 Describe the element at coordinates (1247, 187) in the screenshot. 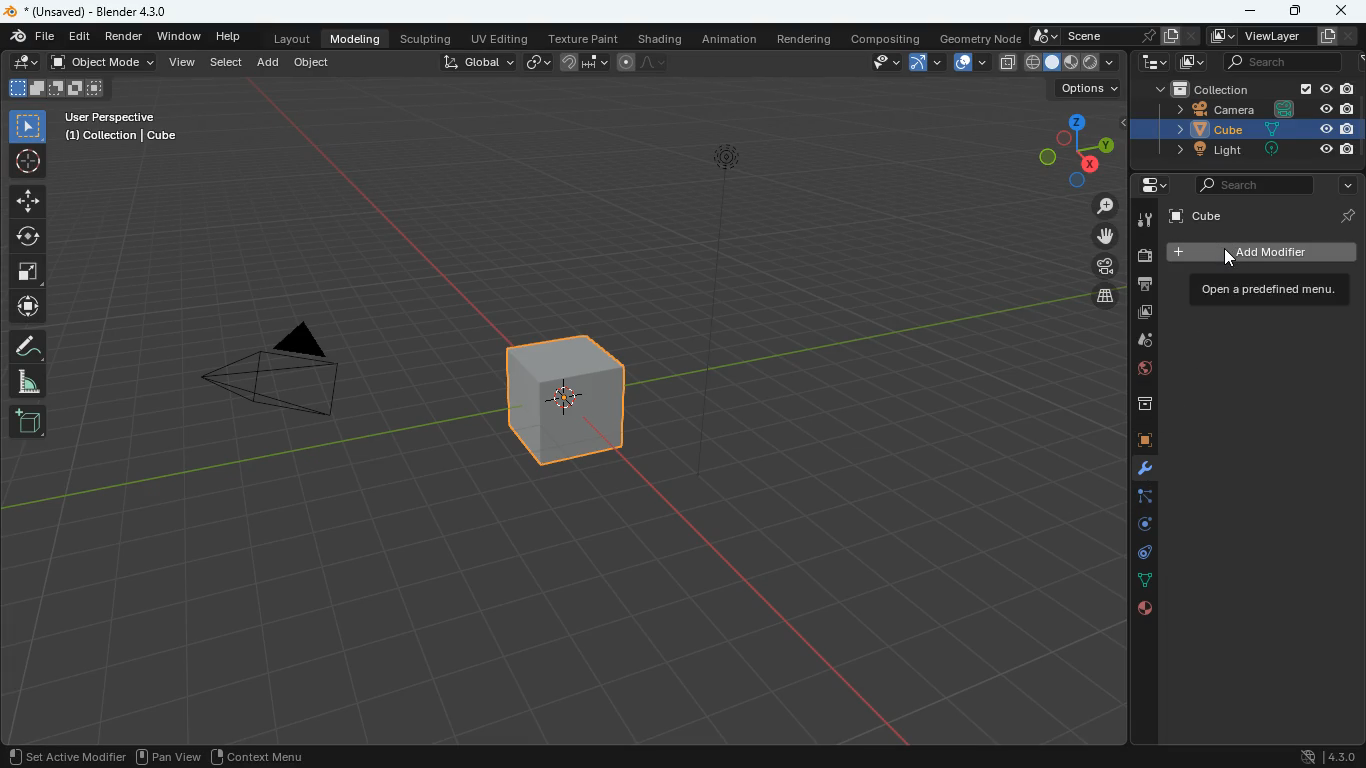

I see `search` at that location.